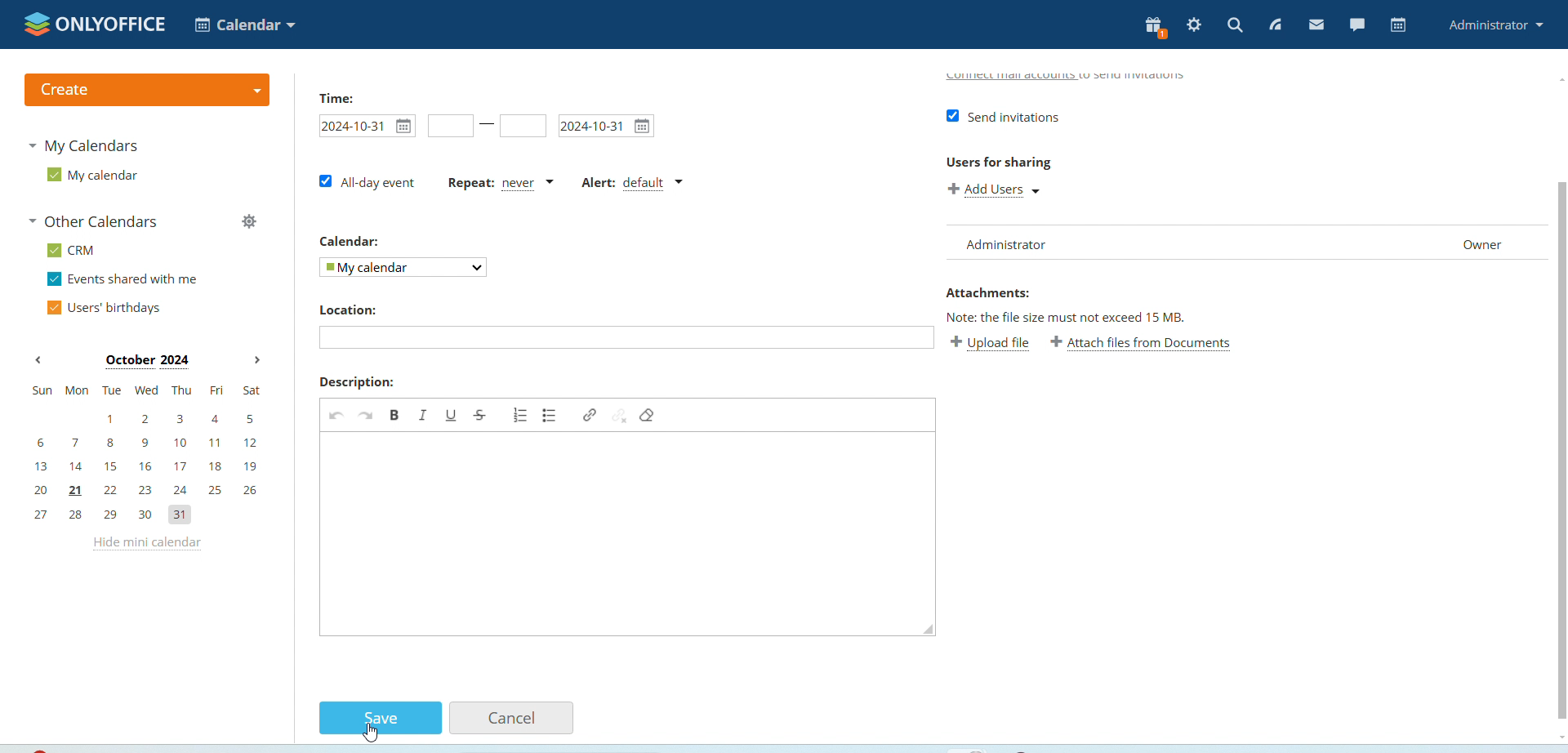 Image resolution: width=1568 pixels, height=753 pixels. What do you see at coordinates (991, 345) in the screenshot?
I see `Upload file` at bounding box center [991, 345].